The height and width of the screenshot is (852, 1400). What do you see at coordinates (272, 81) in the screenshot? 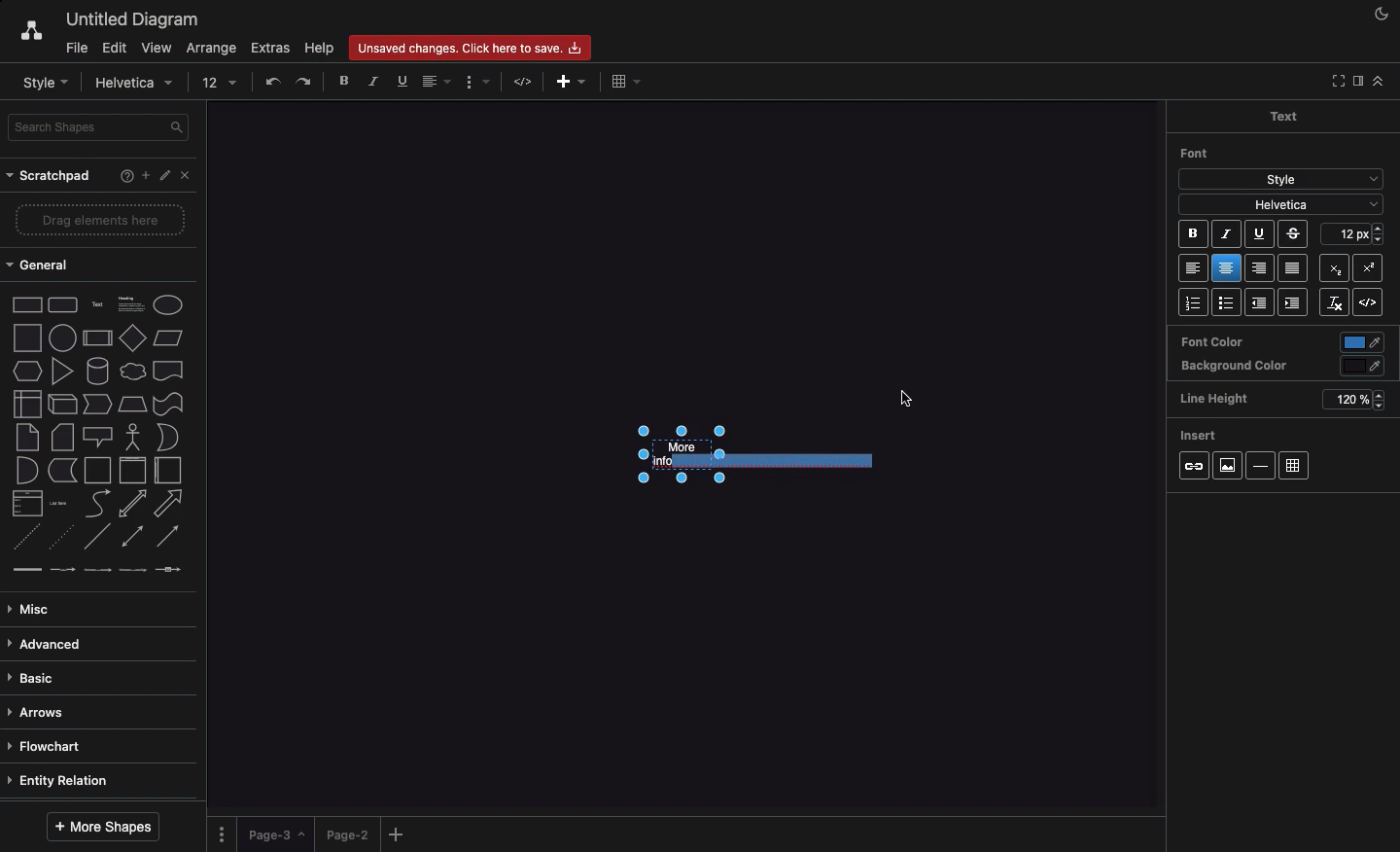
I see `Undo` at bounding box center [272, 81].